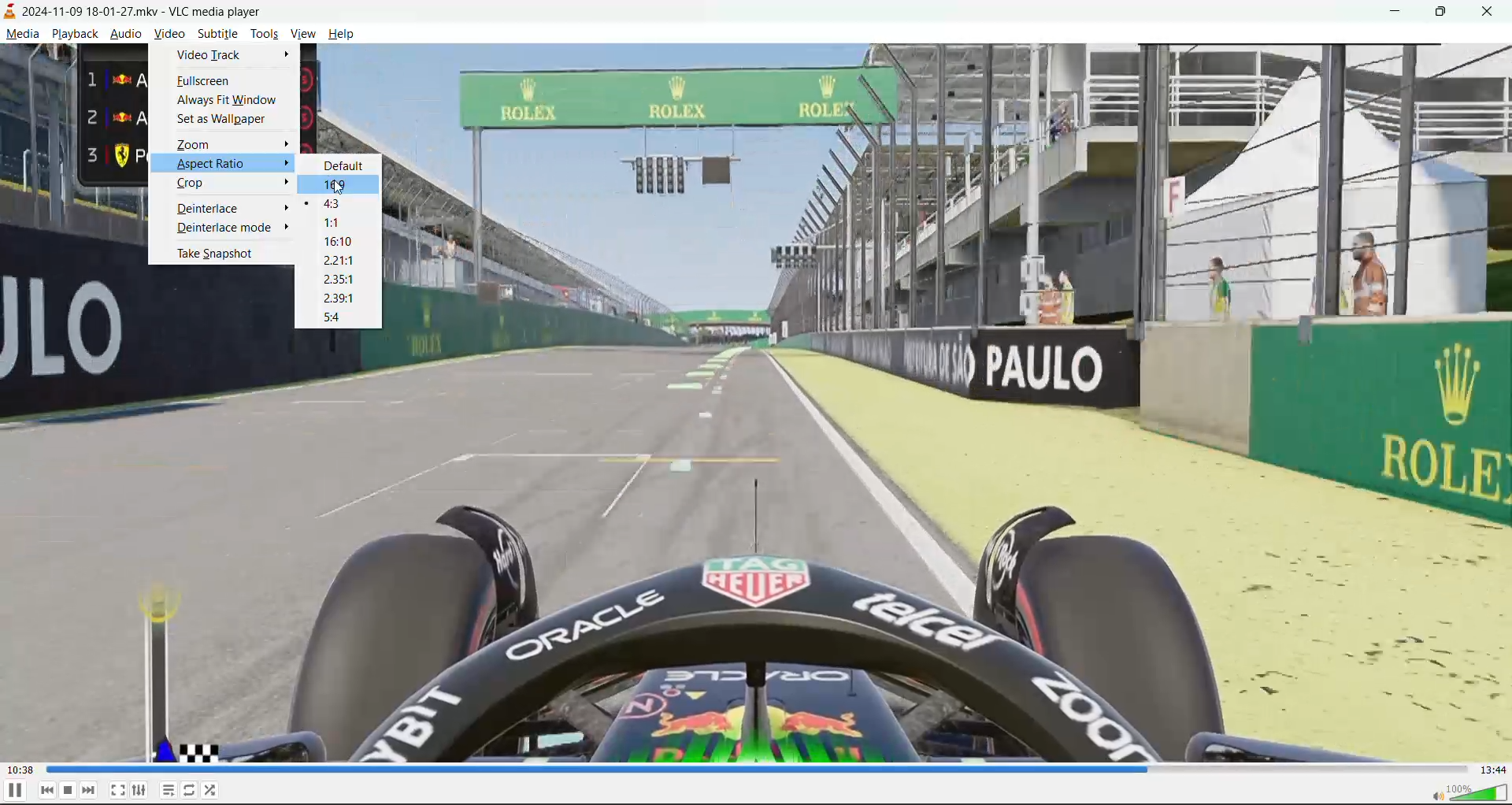 This screenshot has height=805, width=1512. I want to click on track slider, so click(756, 768).